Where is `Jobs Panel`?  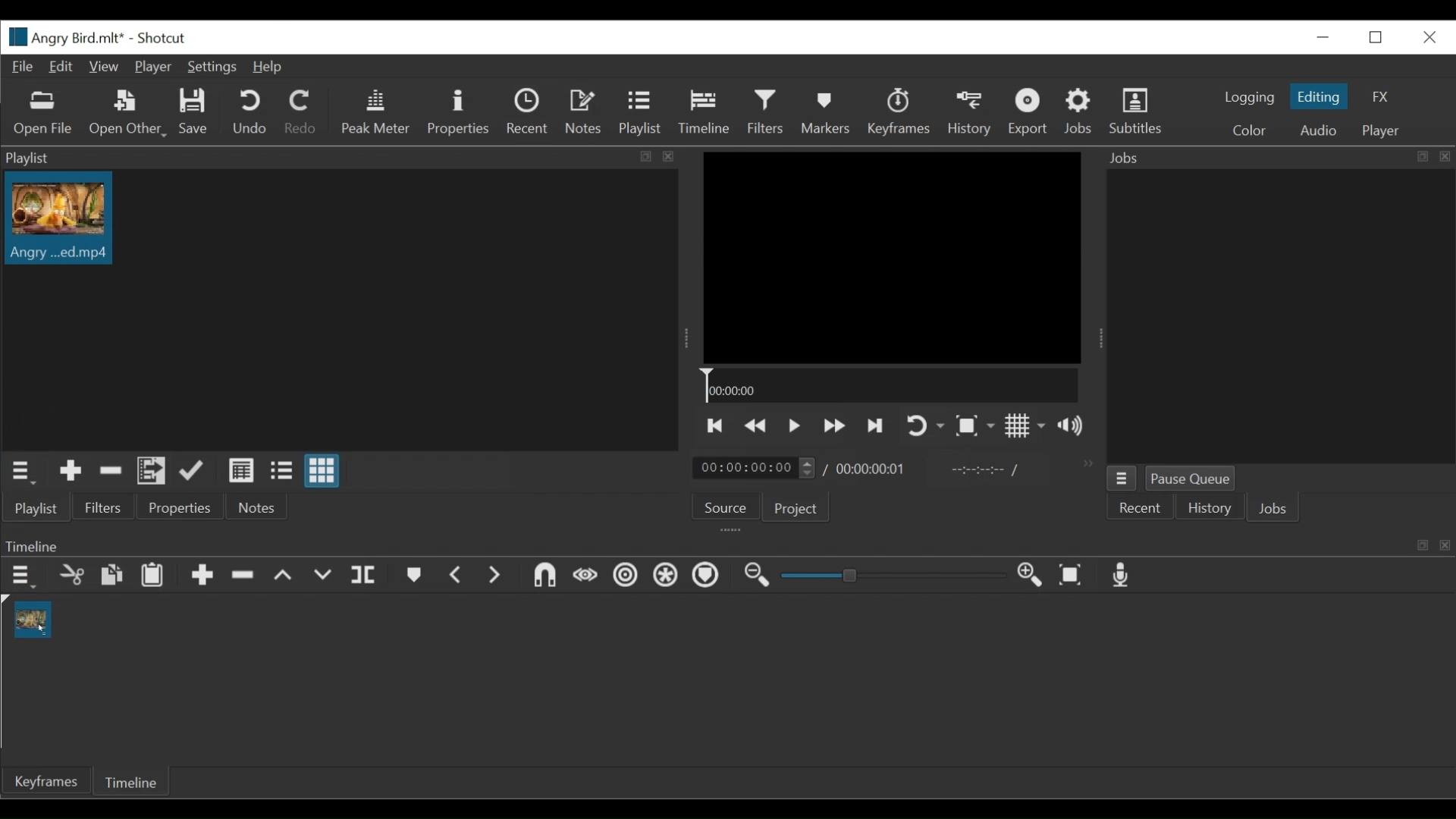
Jobs Panel is located at coordinates (1280, 315).